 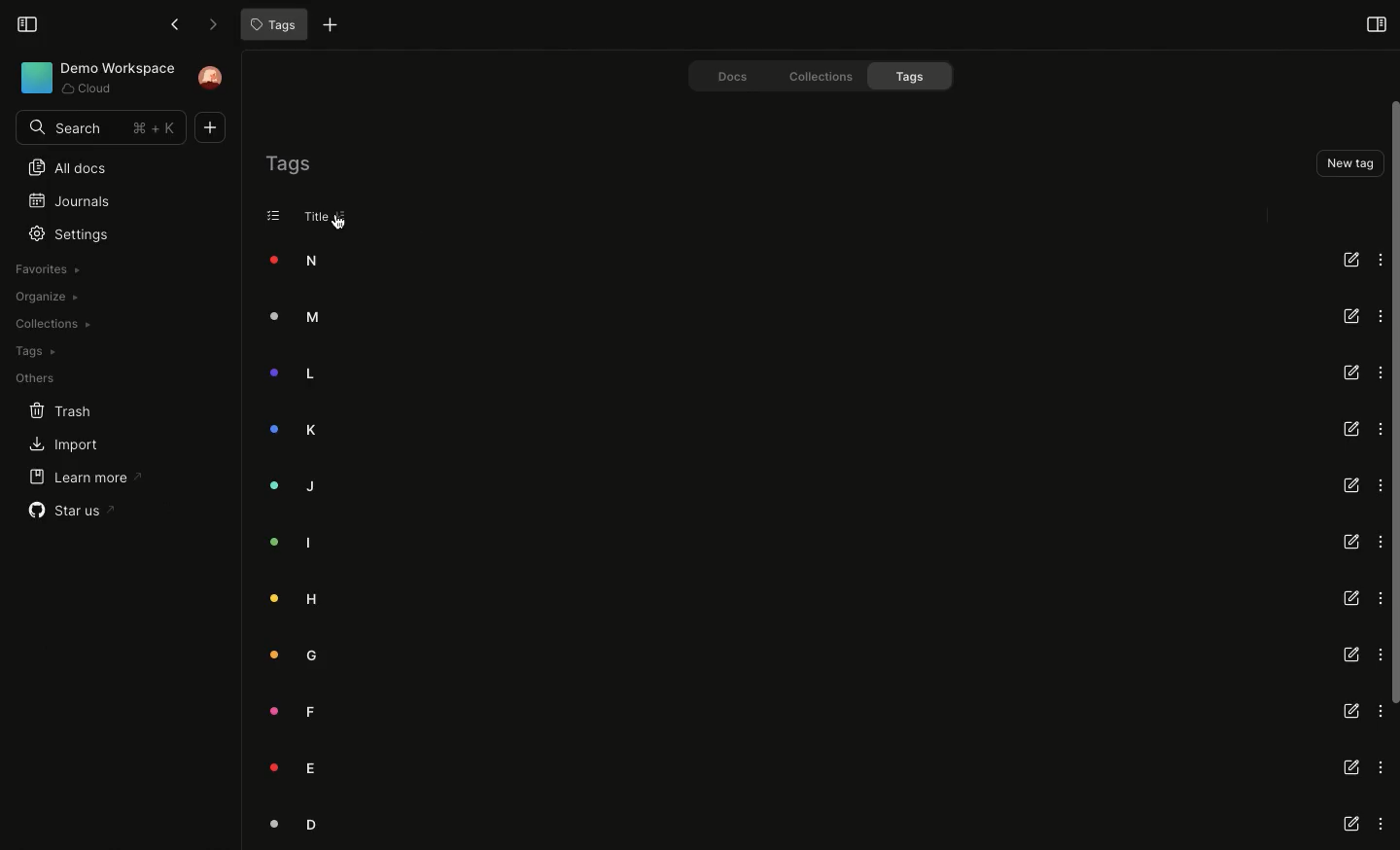 I want to click on Others, so click(x=31, y=379).